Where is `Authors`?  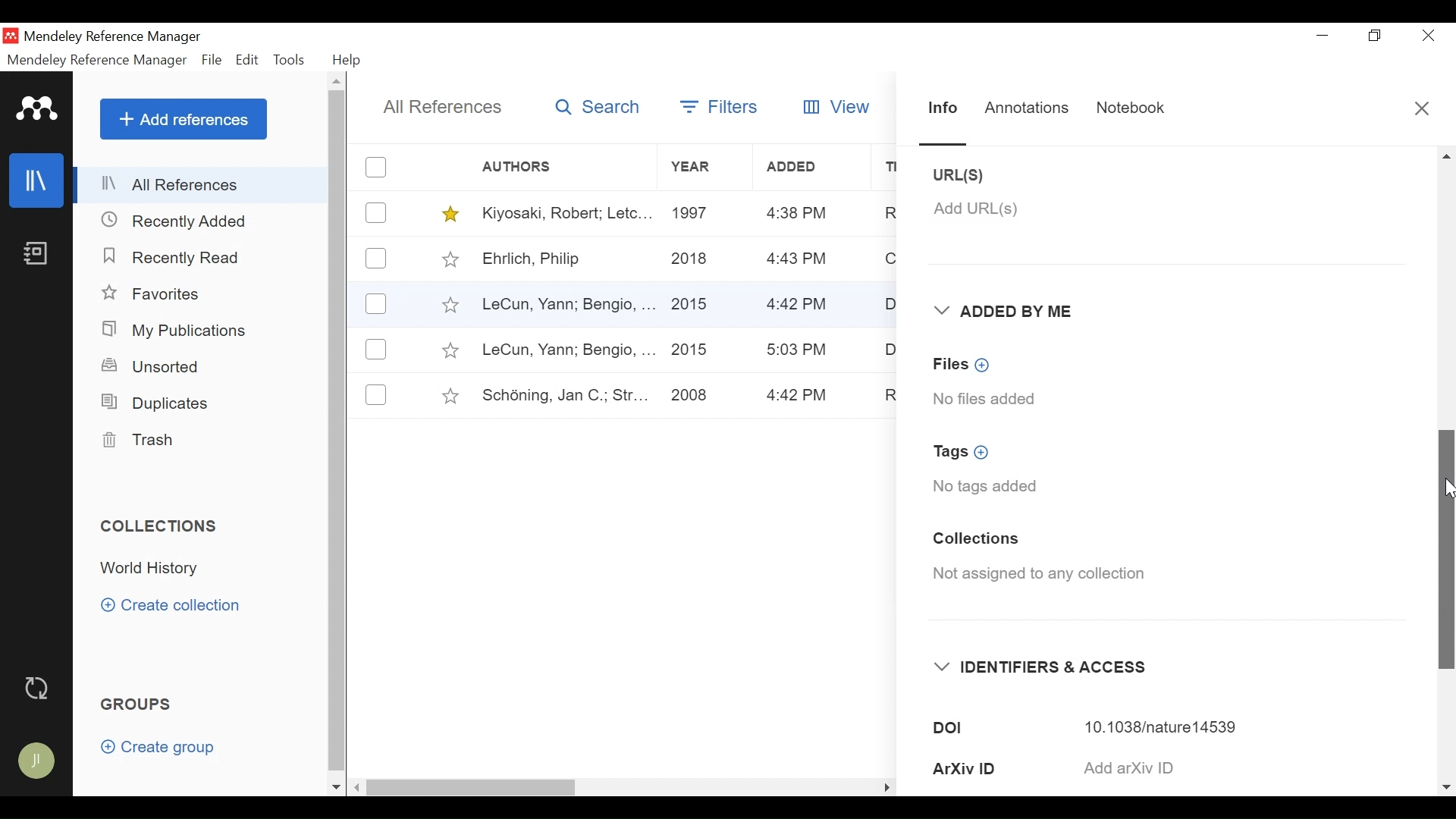
Authors is located at coordinates (529, 168).